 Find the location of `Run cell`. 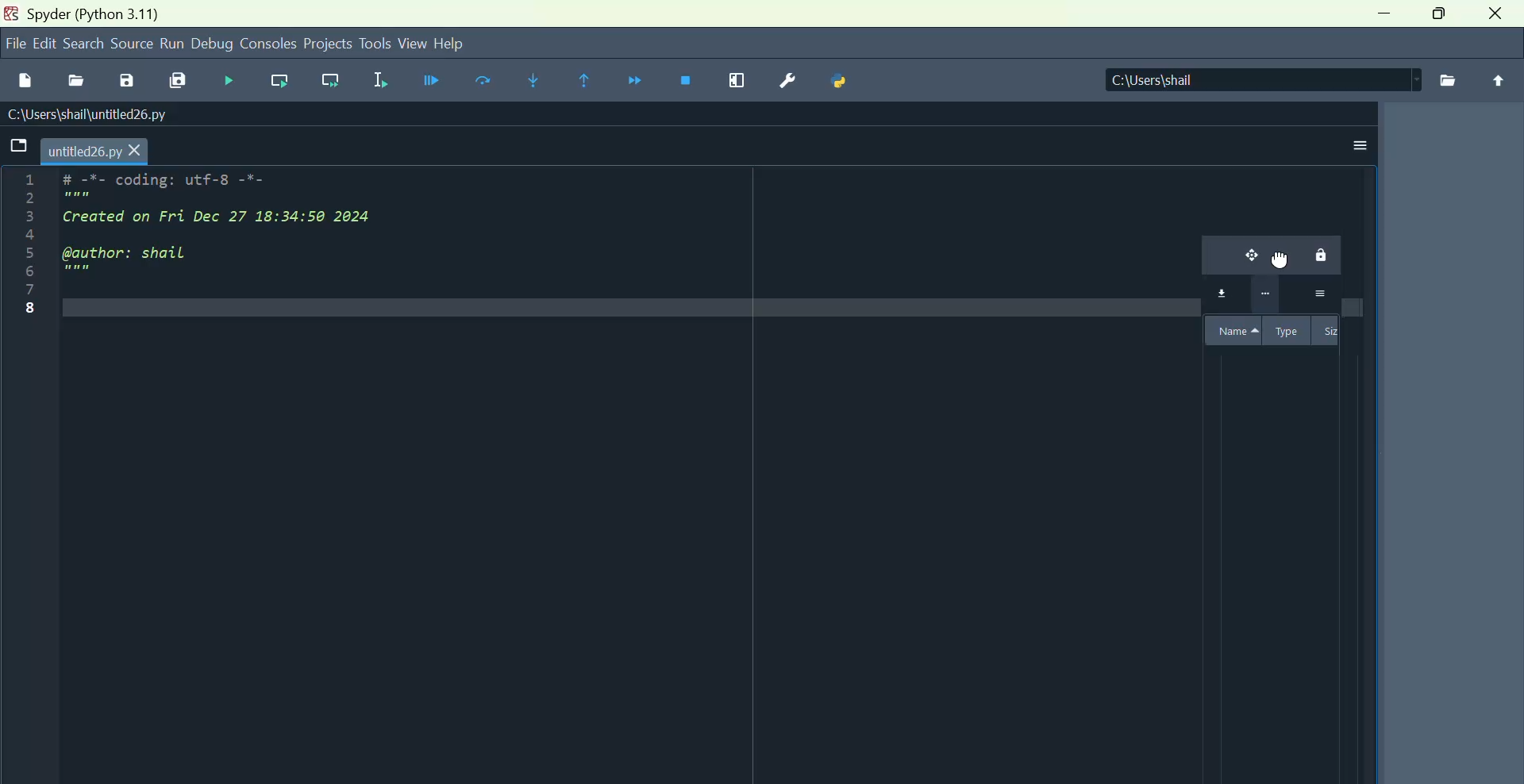

Run cell is located at coordinates (488, 83).